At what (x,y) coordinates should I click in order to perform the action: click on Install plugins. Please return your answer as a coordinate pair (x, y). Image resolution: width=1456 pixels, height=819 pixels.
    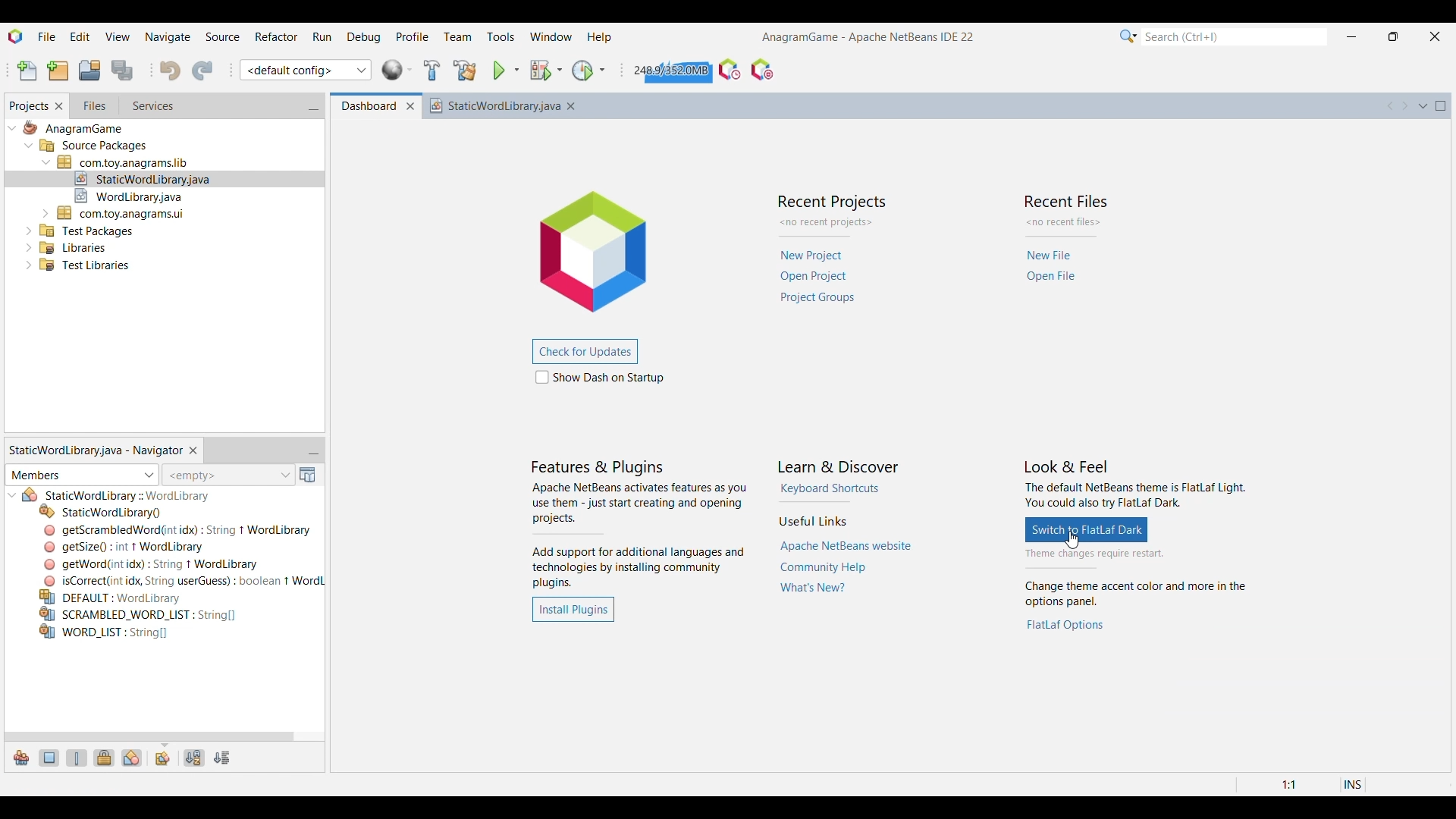
    Looking at the image, I should click on (573, 610).